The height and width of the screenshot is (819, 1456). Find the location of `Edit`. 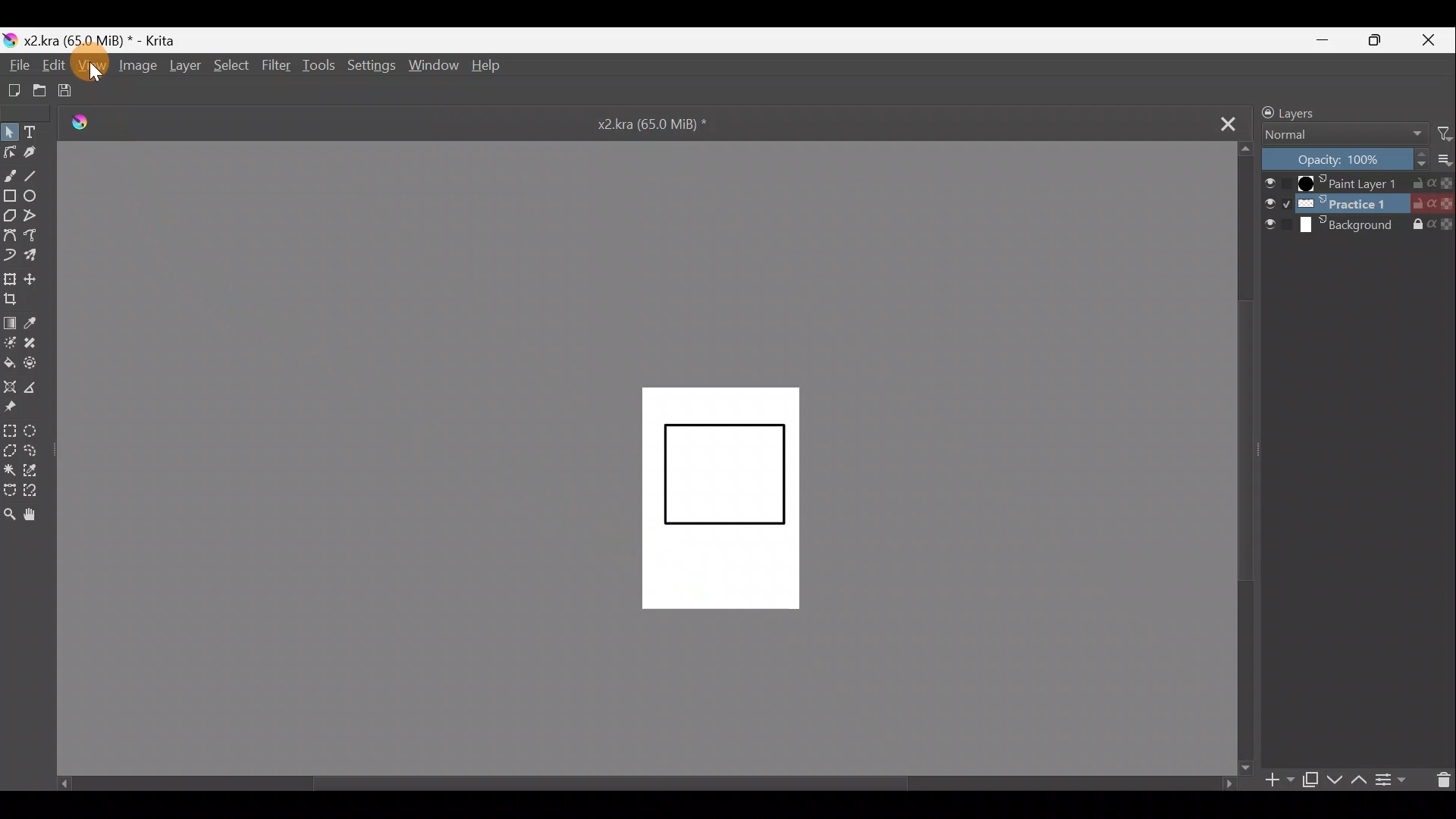

Edit is located at coordinates (57, 65).